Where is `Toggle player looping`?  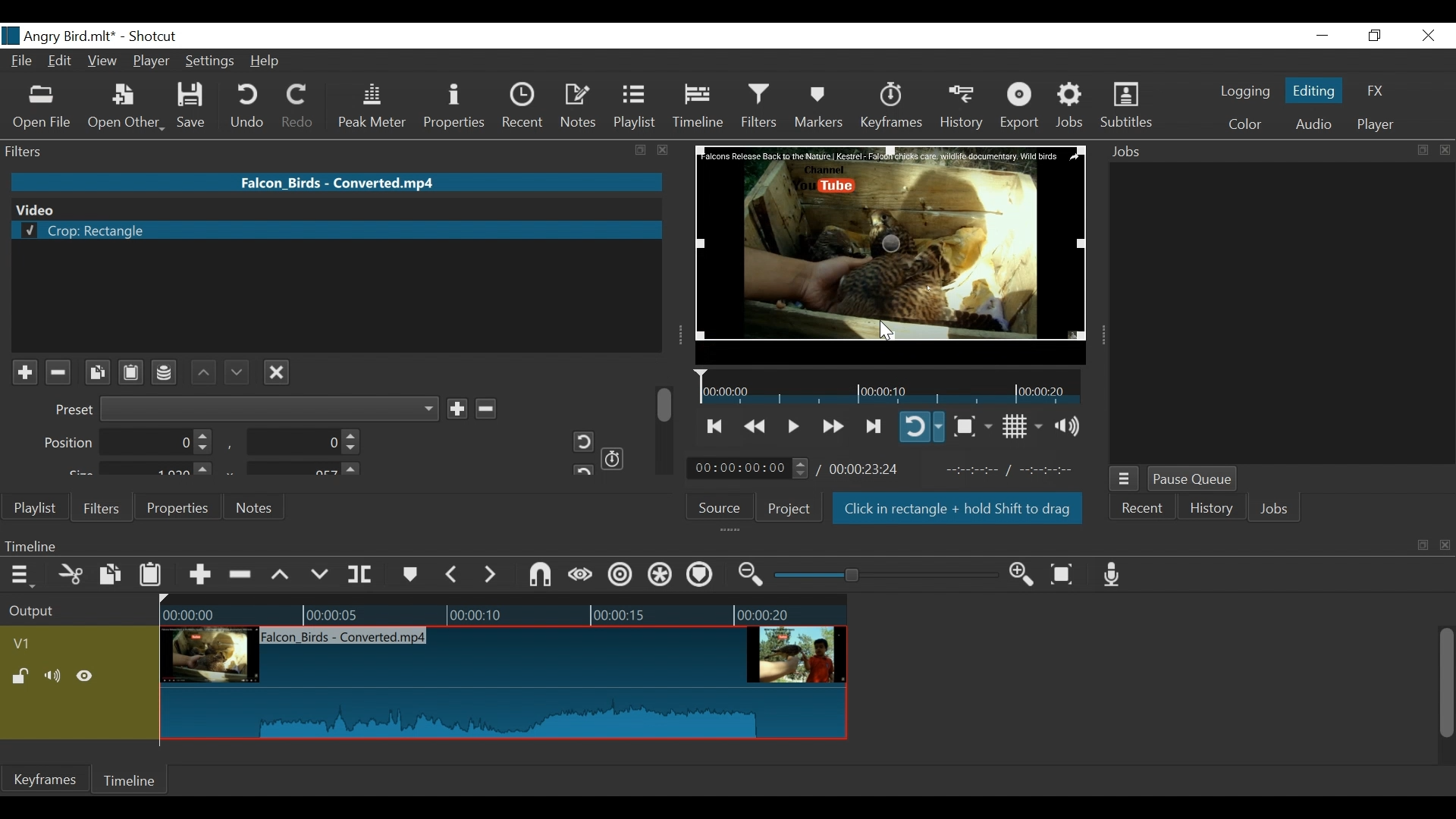 Toggle player looping is located at coordinates (921, 426).